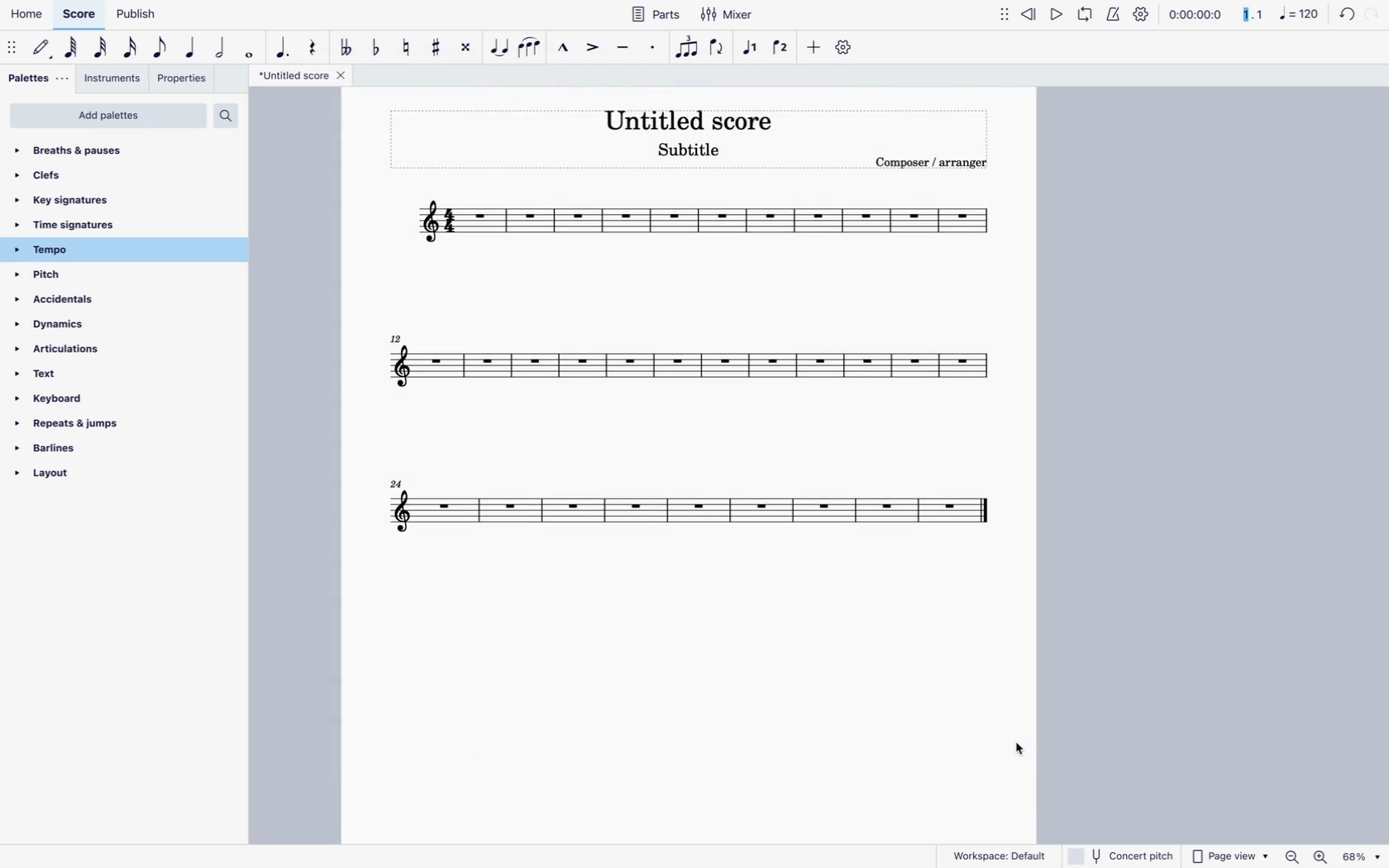 This screenshot has width=1389, height=868. What do you see at coordinates (67, 175) in the screenshot?
I see `clefs` at bounding box center [67, 175].